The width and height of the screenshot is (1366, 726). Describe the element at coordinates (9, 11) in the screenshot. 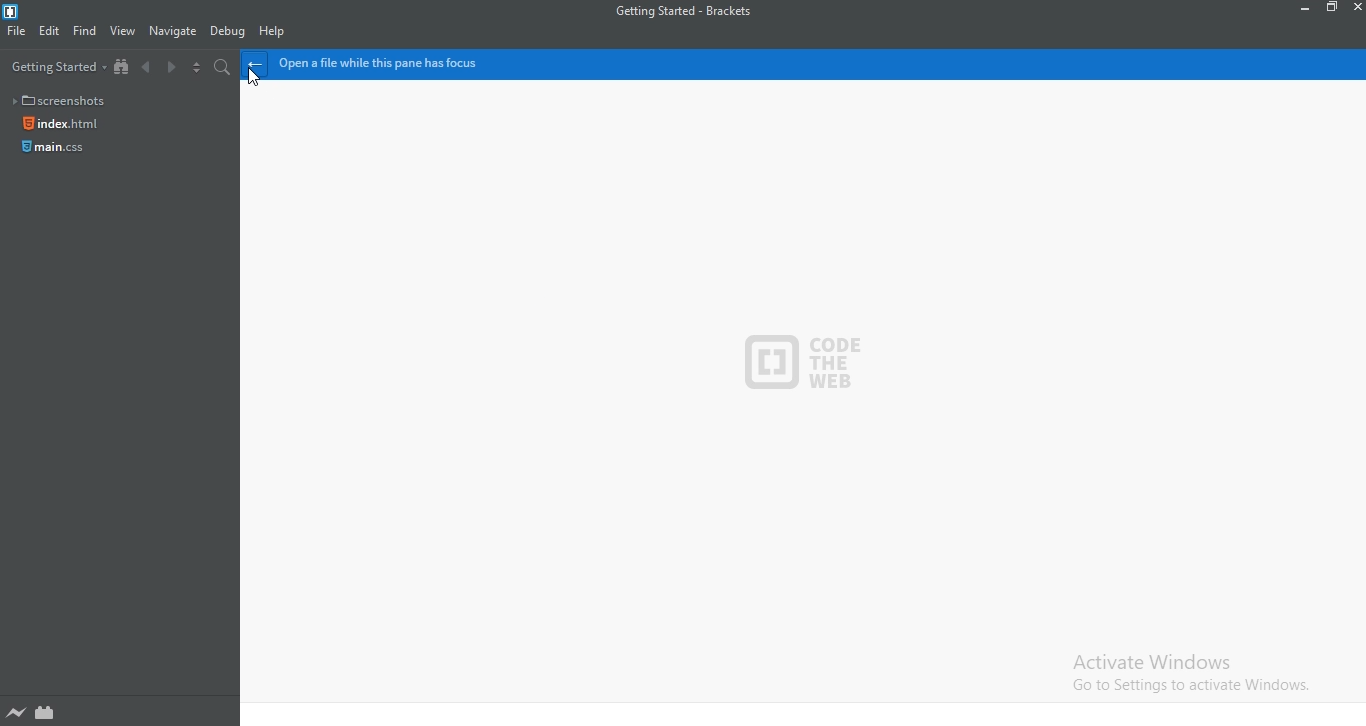

I see `Logo` at that location.